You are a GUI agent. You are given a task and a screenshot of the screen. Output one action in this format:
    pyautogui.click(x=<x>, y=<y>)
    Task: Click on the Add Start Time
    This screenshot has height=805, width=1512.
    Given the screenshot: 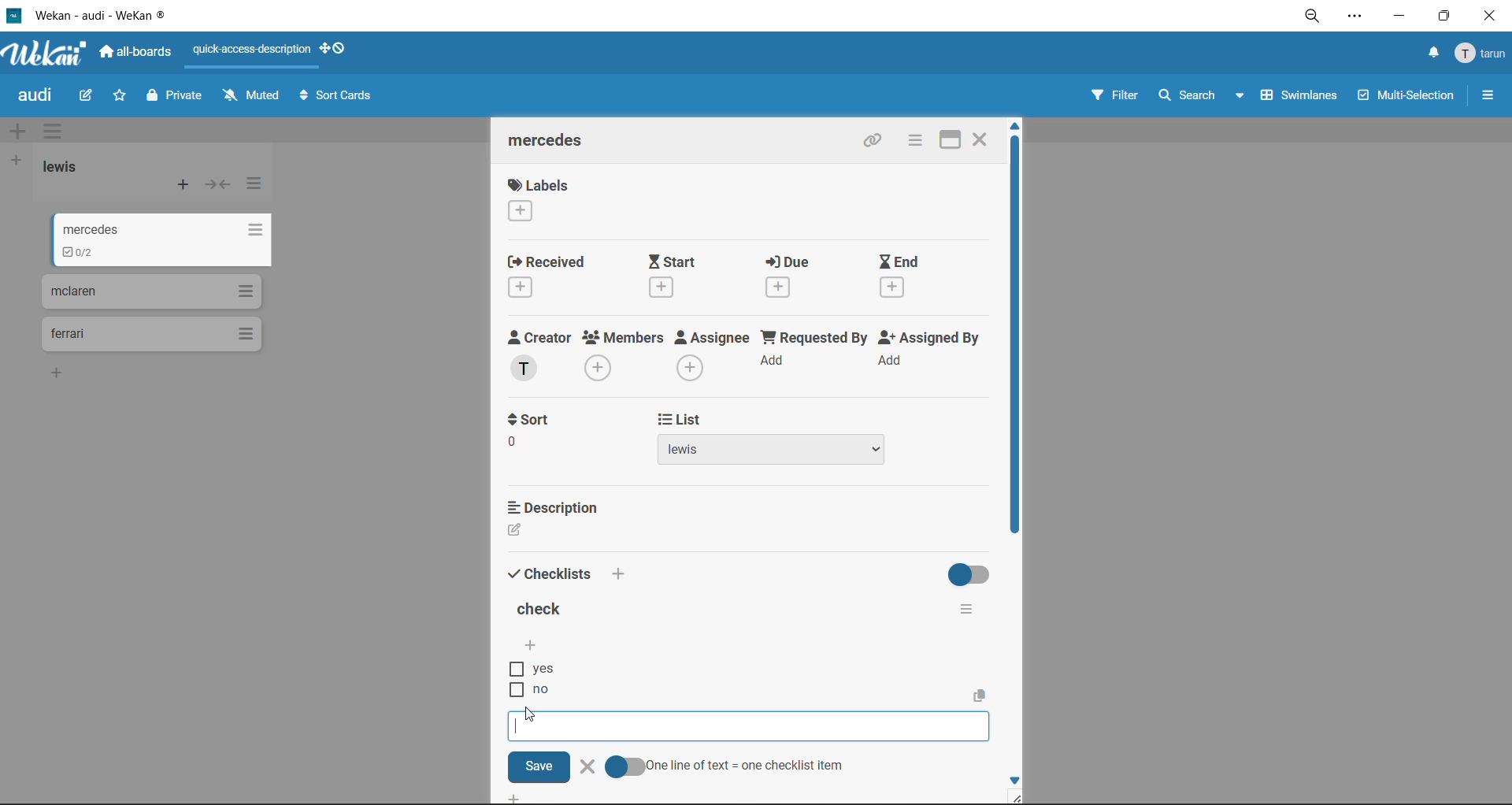 What is the action you would take?
    pyautogui.click(x=663, y=287)
    